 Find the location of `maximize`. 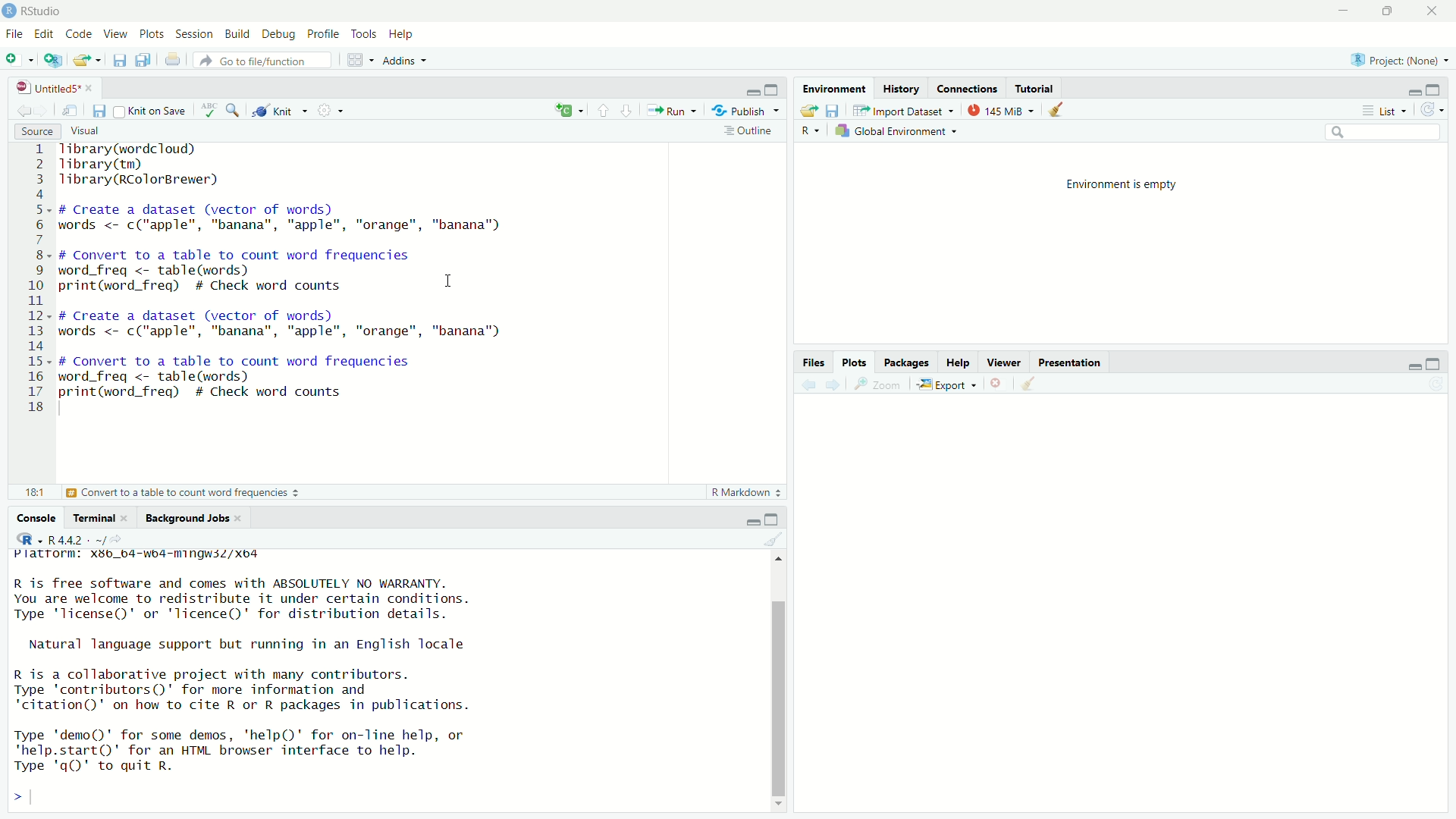

maximize is located at coordinates (1436, 91).